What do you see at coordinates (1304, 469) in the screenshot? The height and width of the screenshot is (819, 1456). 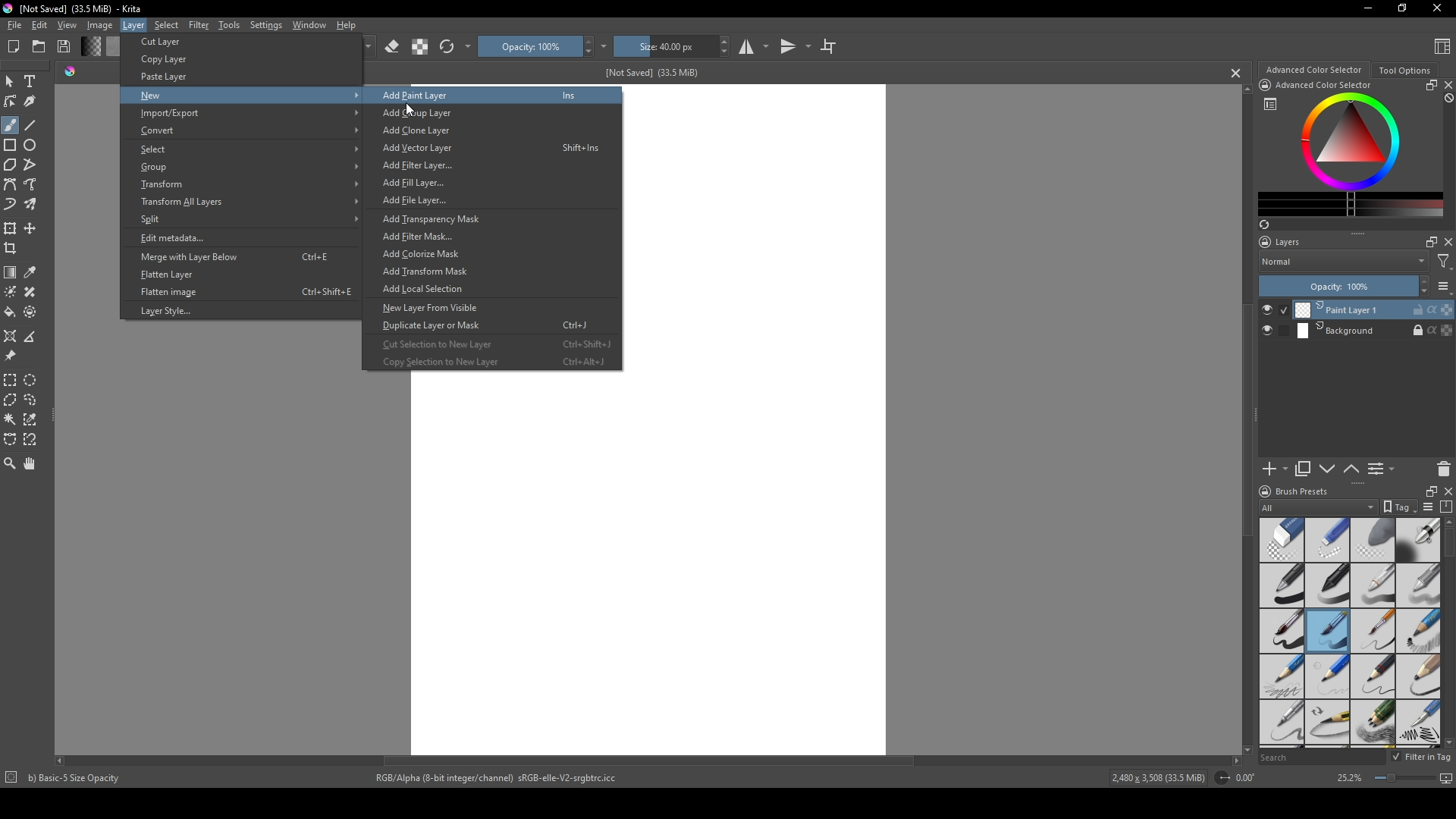 I see `copy` at bounding box center [1304, 469].